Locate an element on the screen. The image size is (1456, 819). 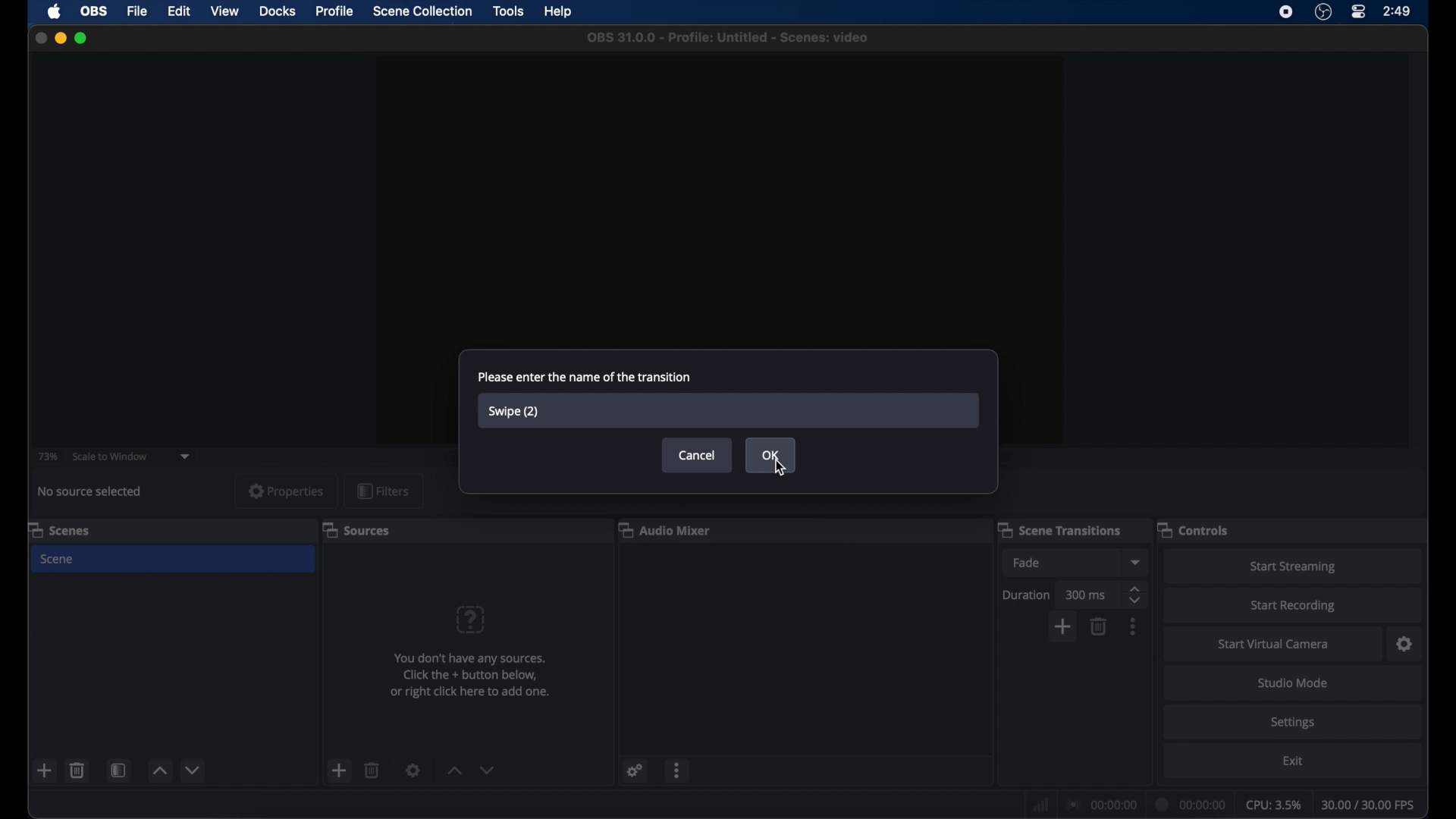
obs is located at coordinates (93, 10).